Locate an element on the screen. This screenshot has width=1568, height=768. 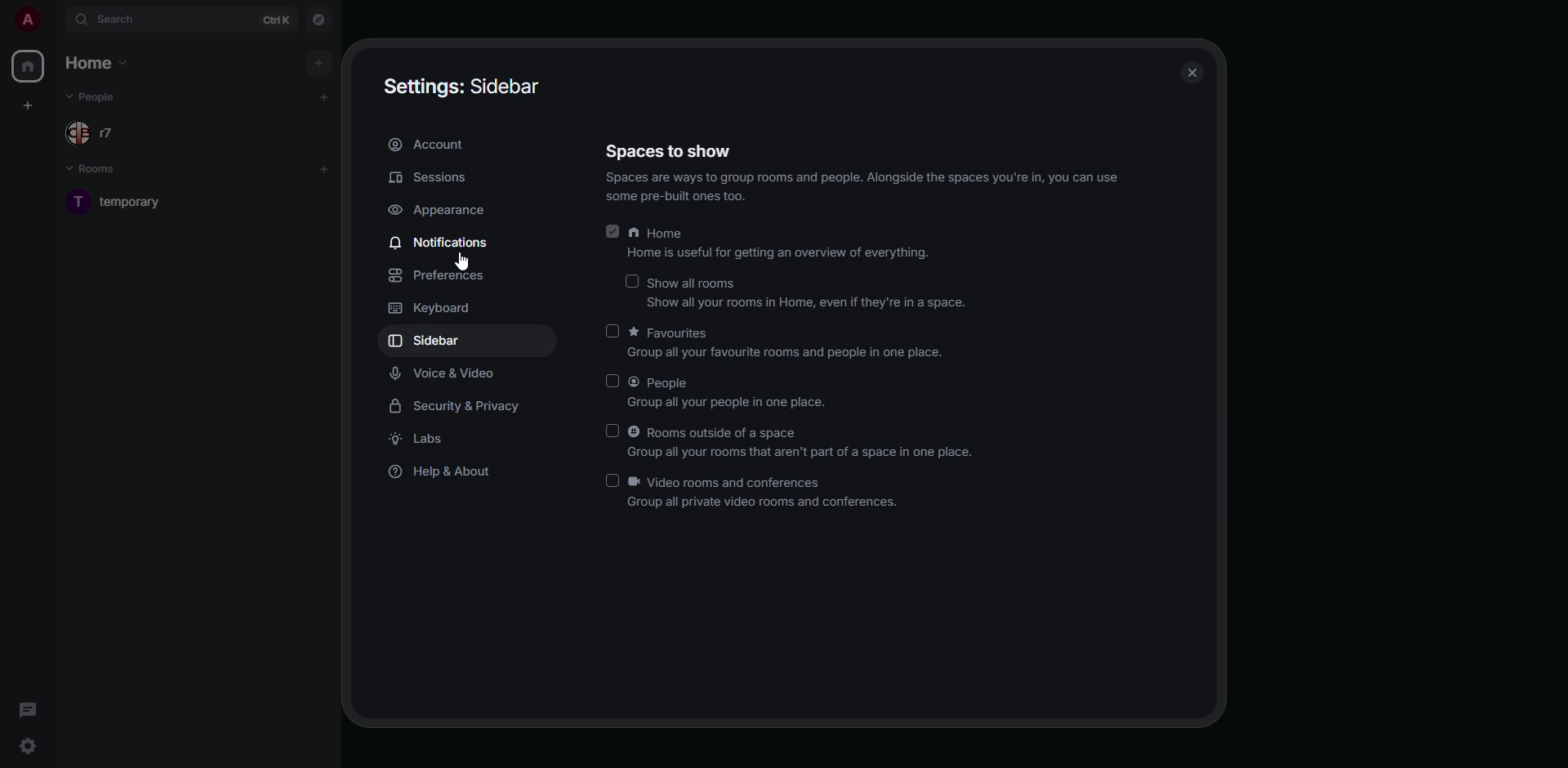
create space is located at coordinates (30, 106).